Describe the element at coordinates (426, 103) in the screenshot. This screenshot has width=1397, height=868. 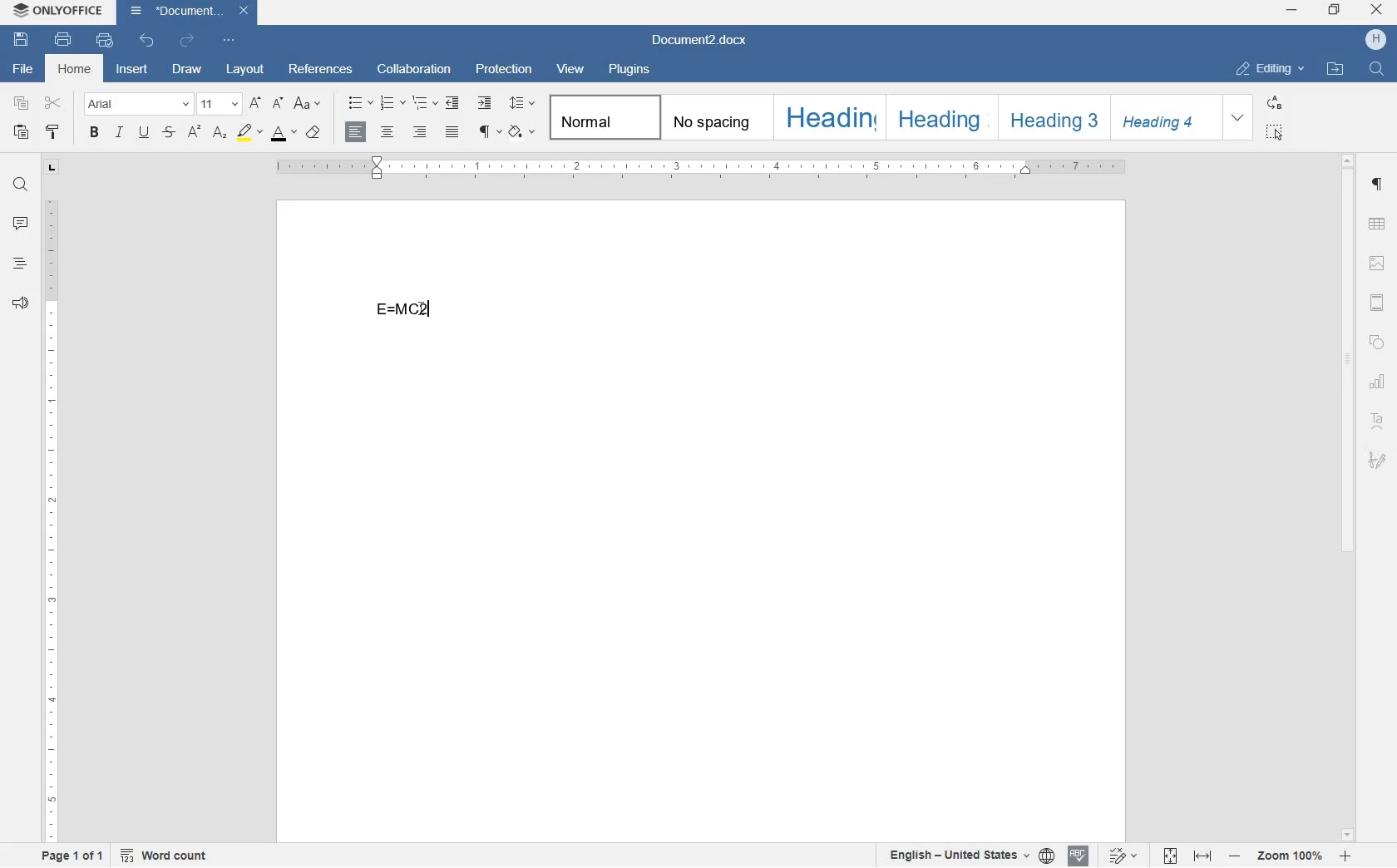
I see `multilevel list` at that location.